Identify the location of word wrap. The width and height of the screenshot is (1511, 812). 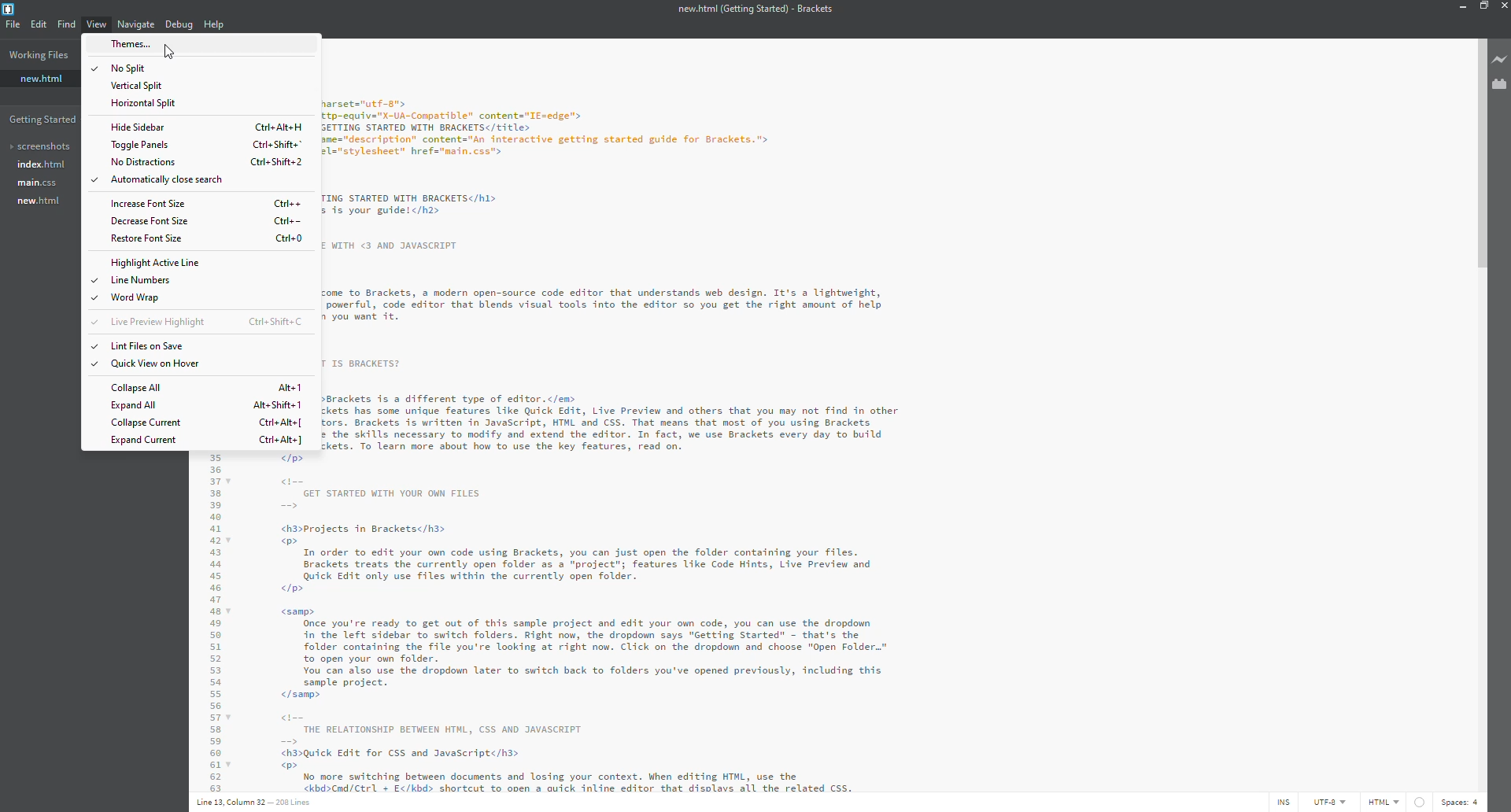
(136, 297).